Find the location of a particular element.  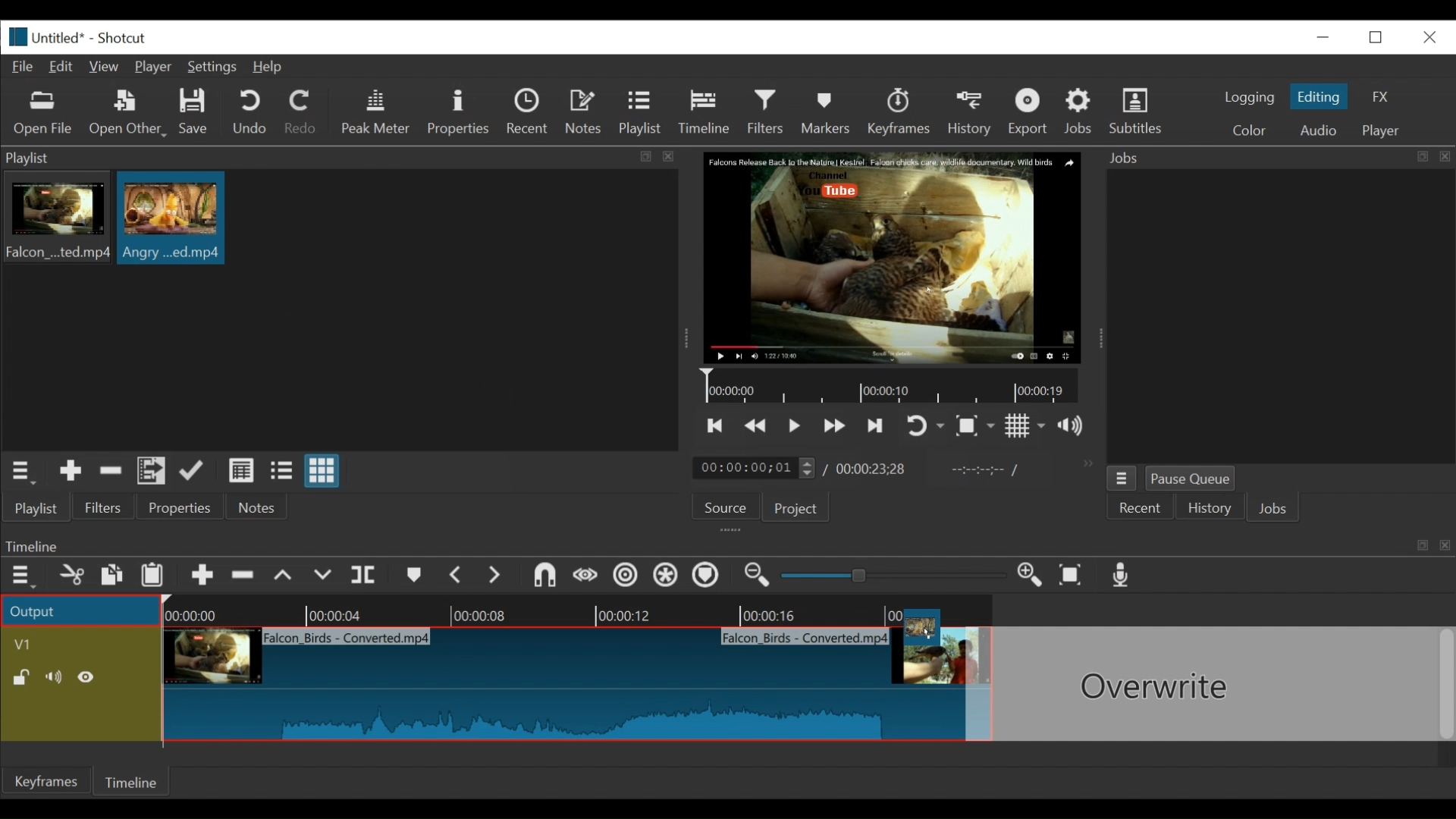

clip is located at coordinates (561, 687).